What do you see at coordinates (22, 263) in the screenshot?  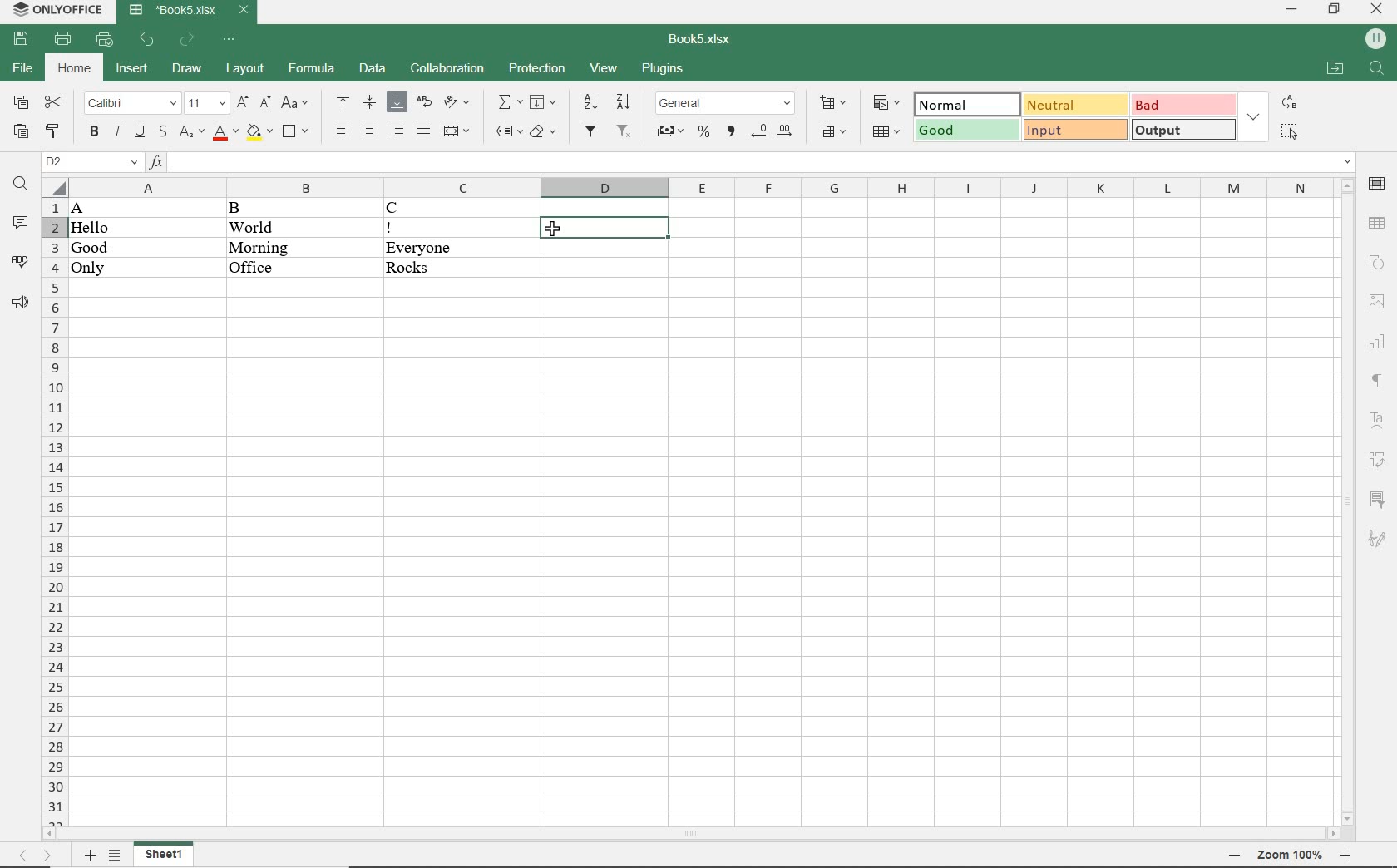 I see `spelling check` at bounding box center [22, 263].